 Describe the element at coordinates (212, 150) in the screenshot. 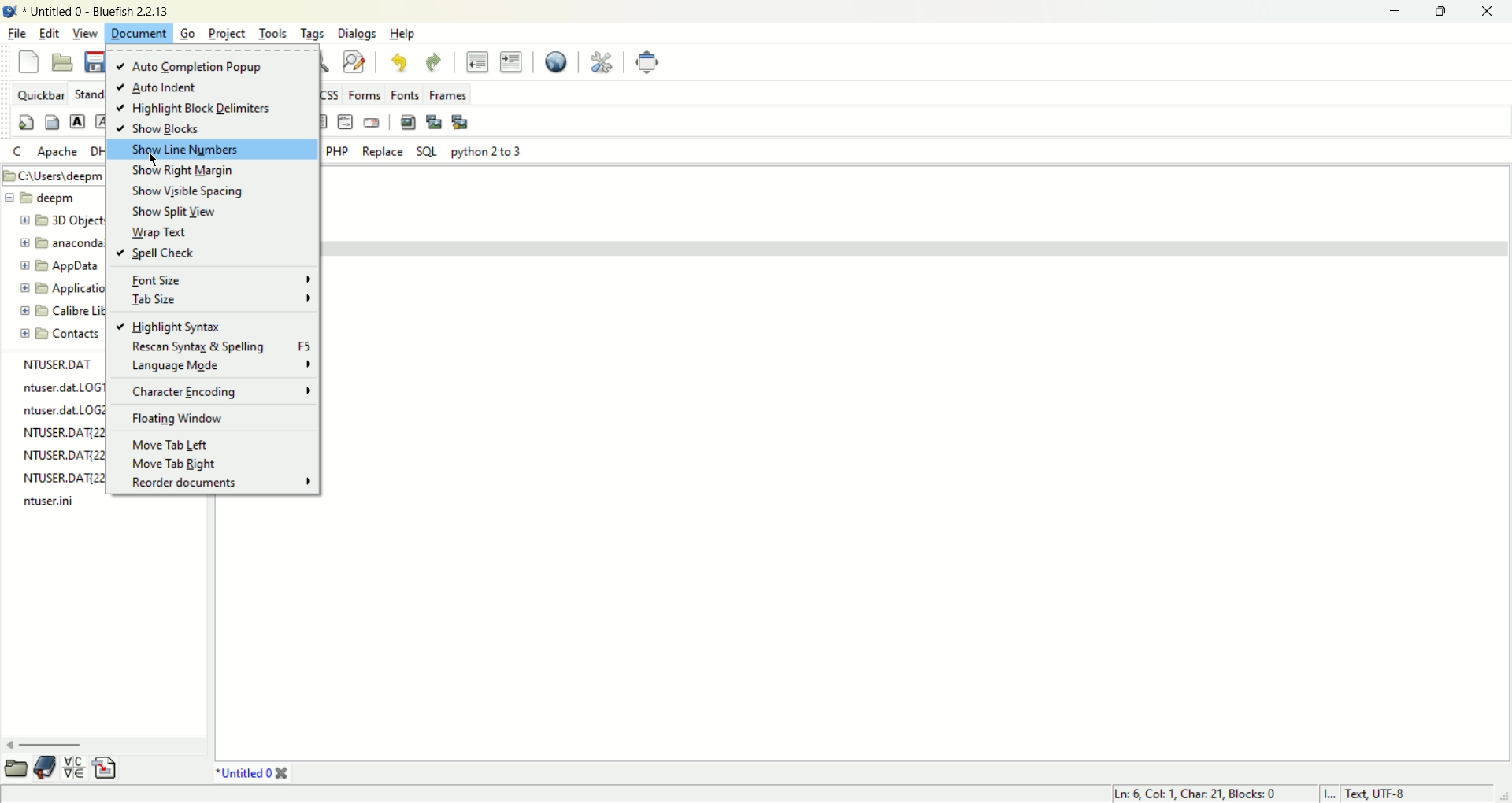

I see `show line number` at that location.